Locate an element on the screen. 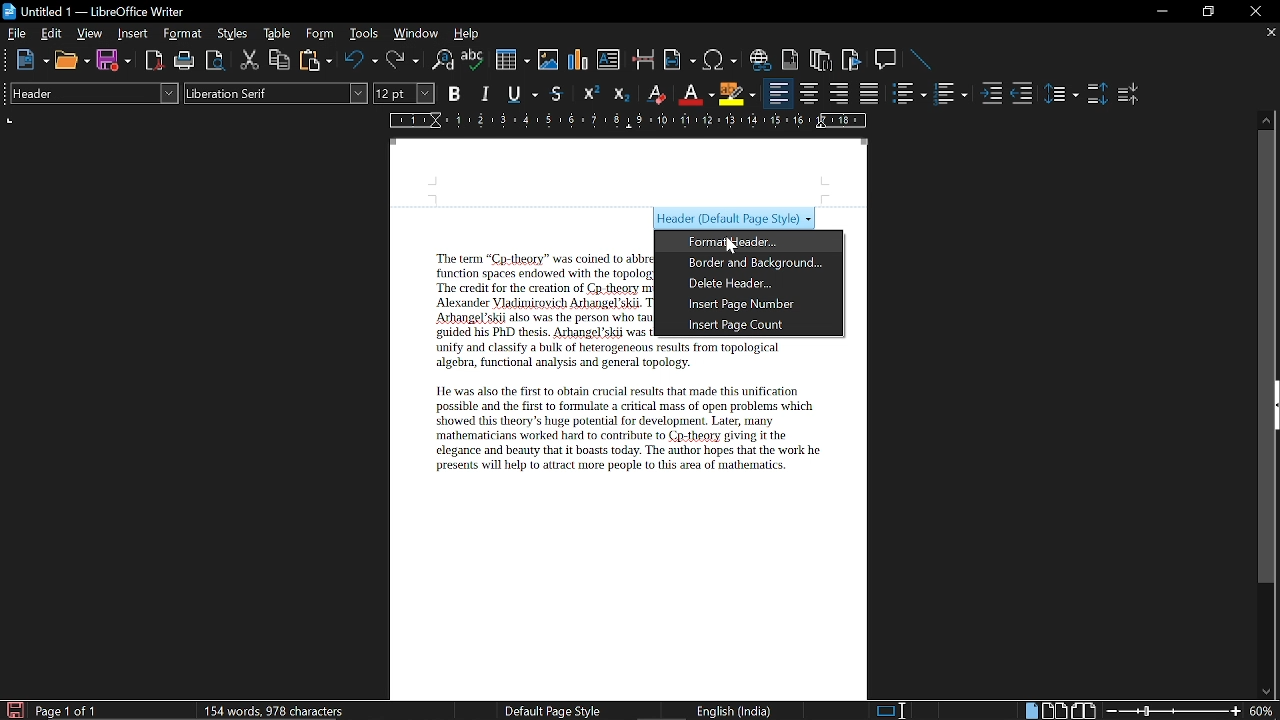 Image resolution: width=1280 pixels, height=720 pixels. Erase is located at coordinates (655, 94).